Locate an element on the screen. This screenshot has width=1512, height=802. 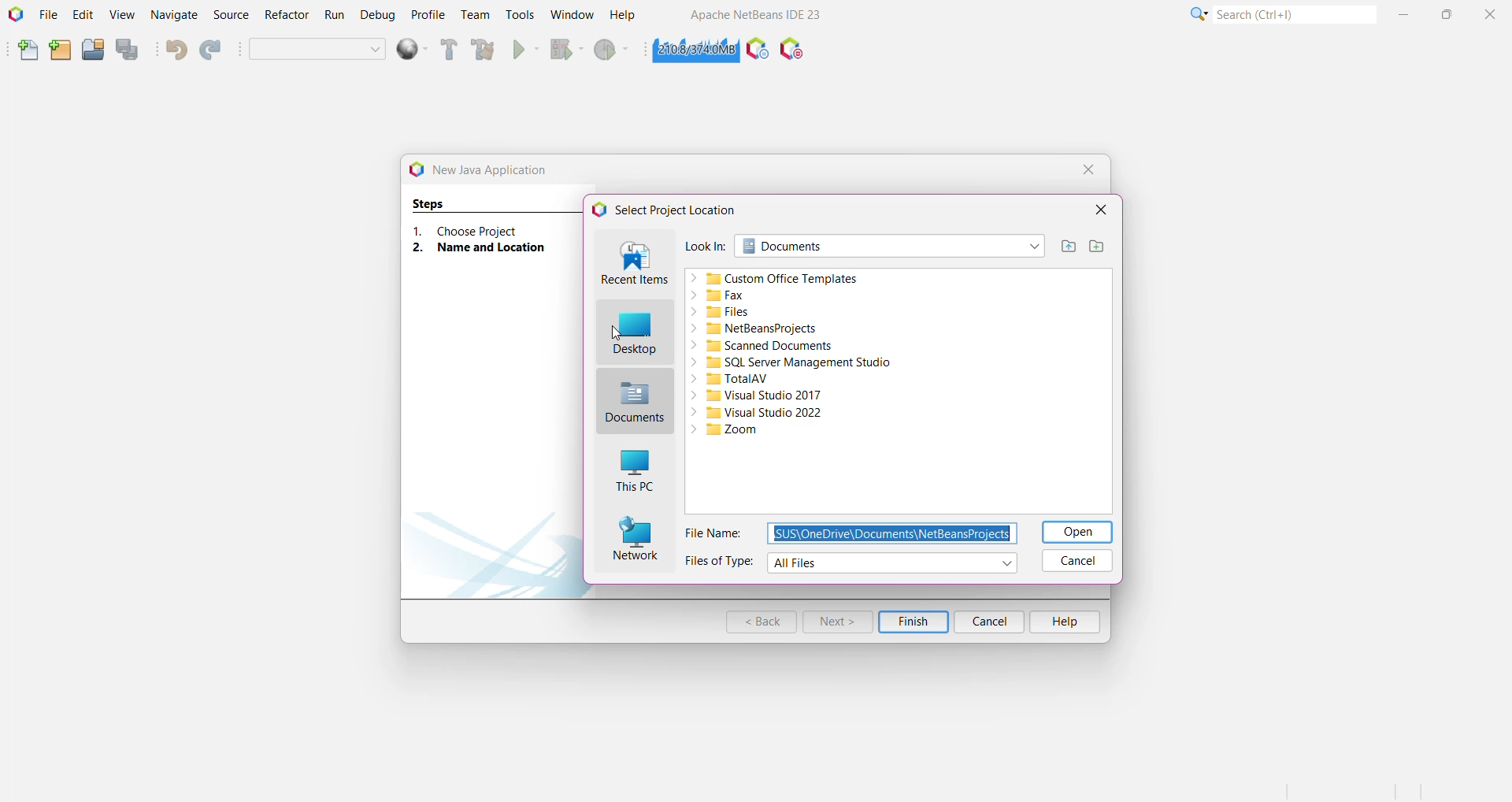
Zoom is located at coordinates (893, 429).